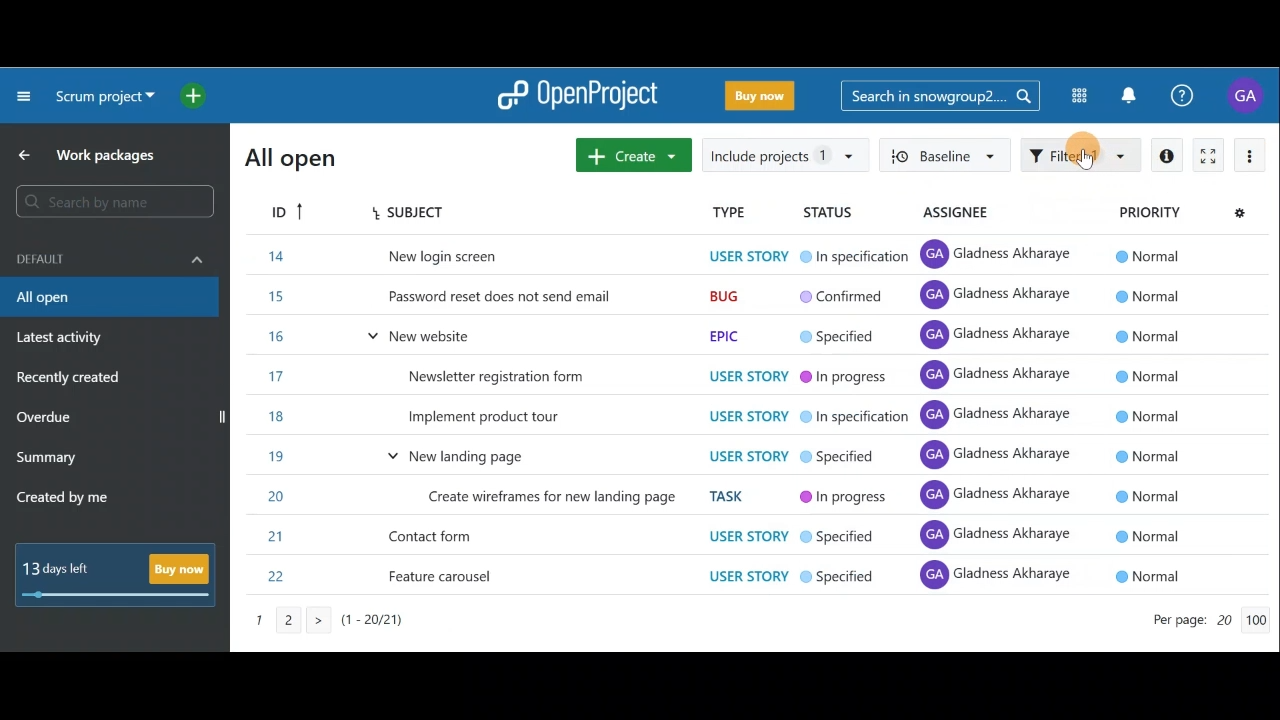 The height and width of the screenshot is (720, 1280). What do you see at coordinates (733, 333) in the screenshot?
I see `Item 3` at bounding box center [733, 333].